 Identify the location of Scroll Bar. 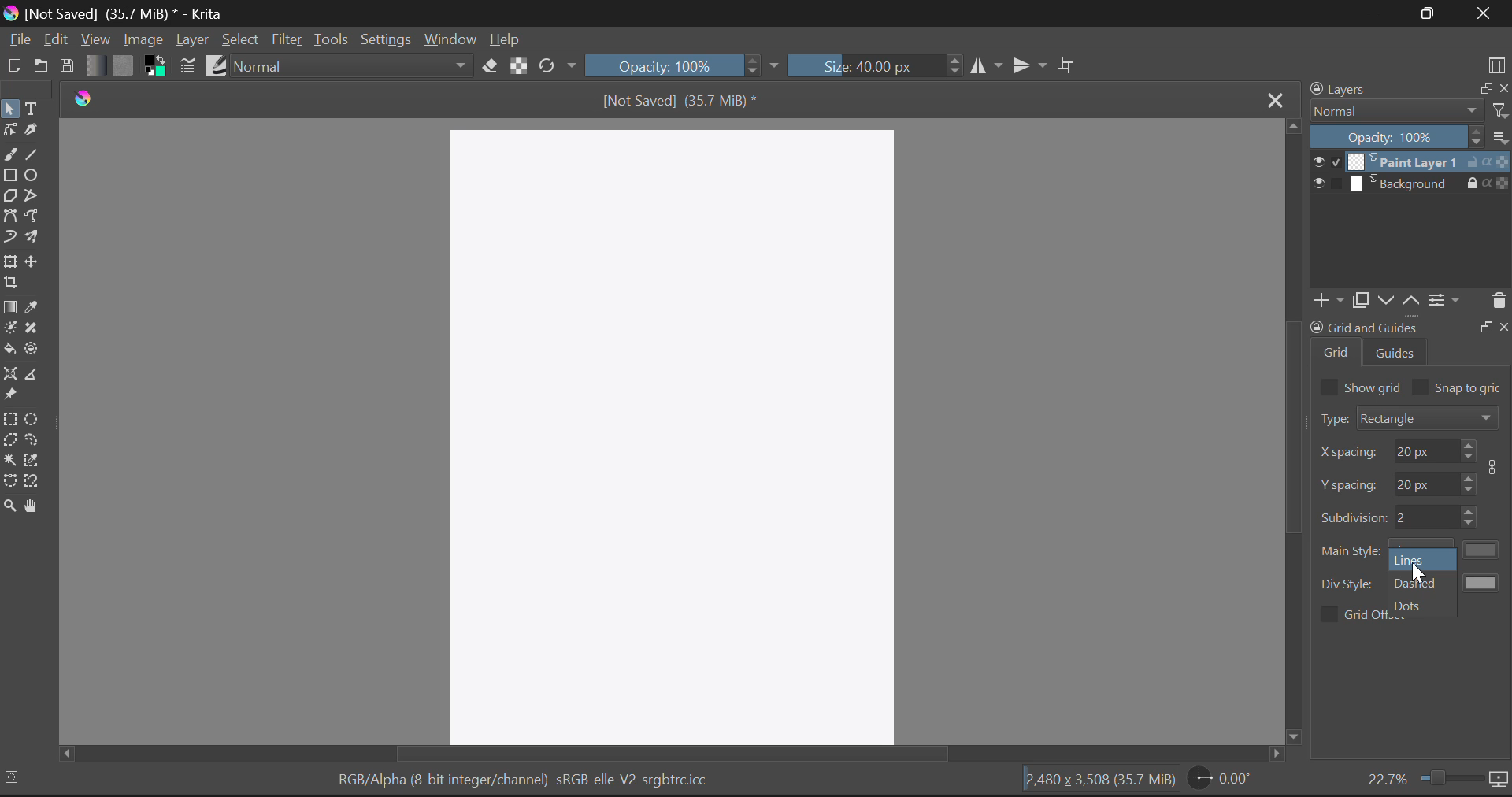
(672, 754).